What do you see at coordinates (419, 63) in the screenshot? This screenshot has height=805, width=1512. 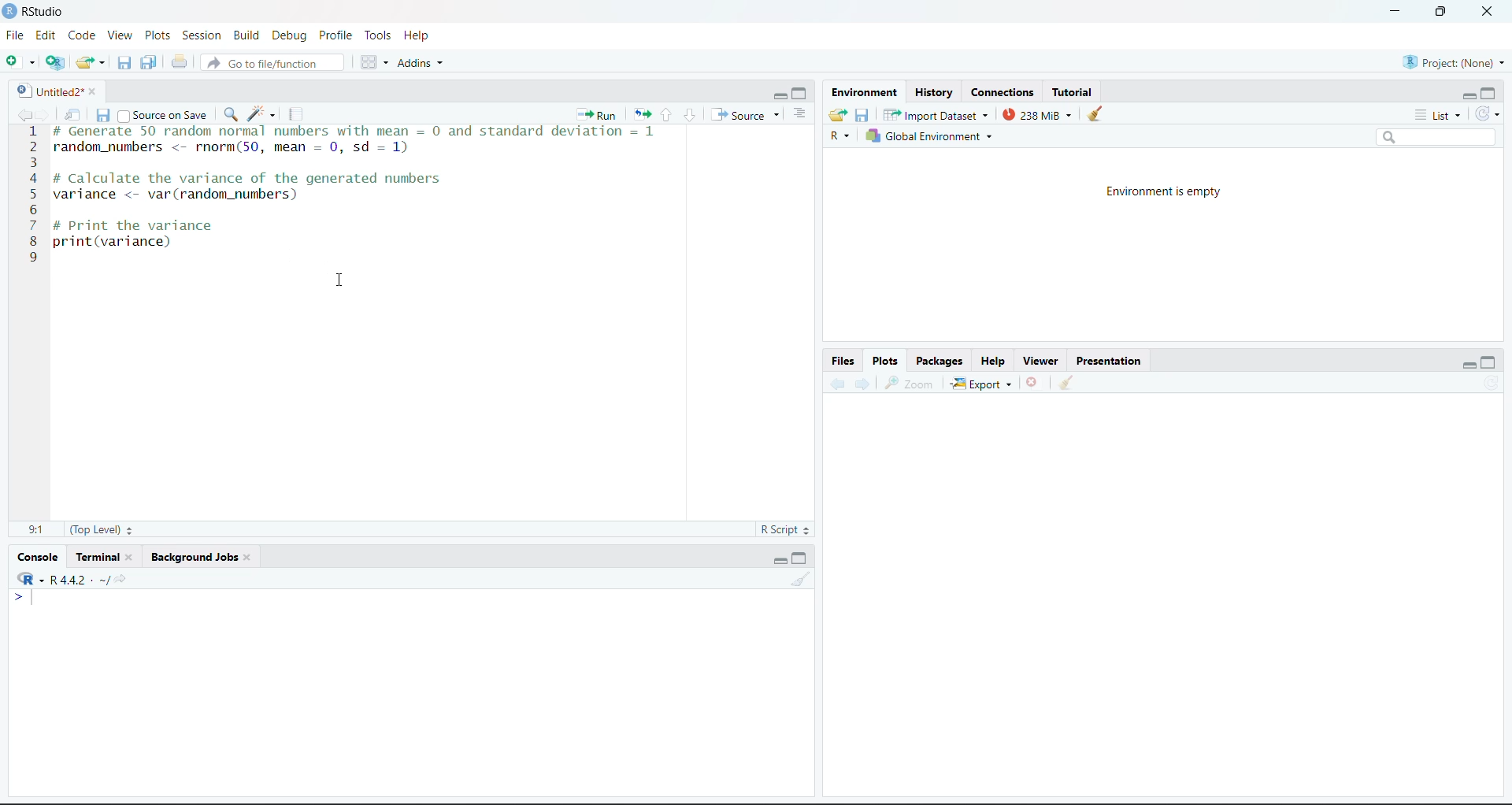 I see `Addins` at bounding box center [419, 63].